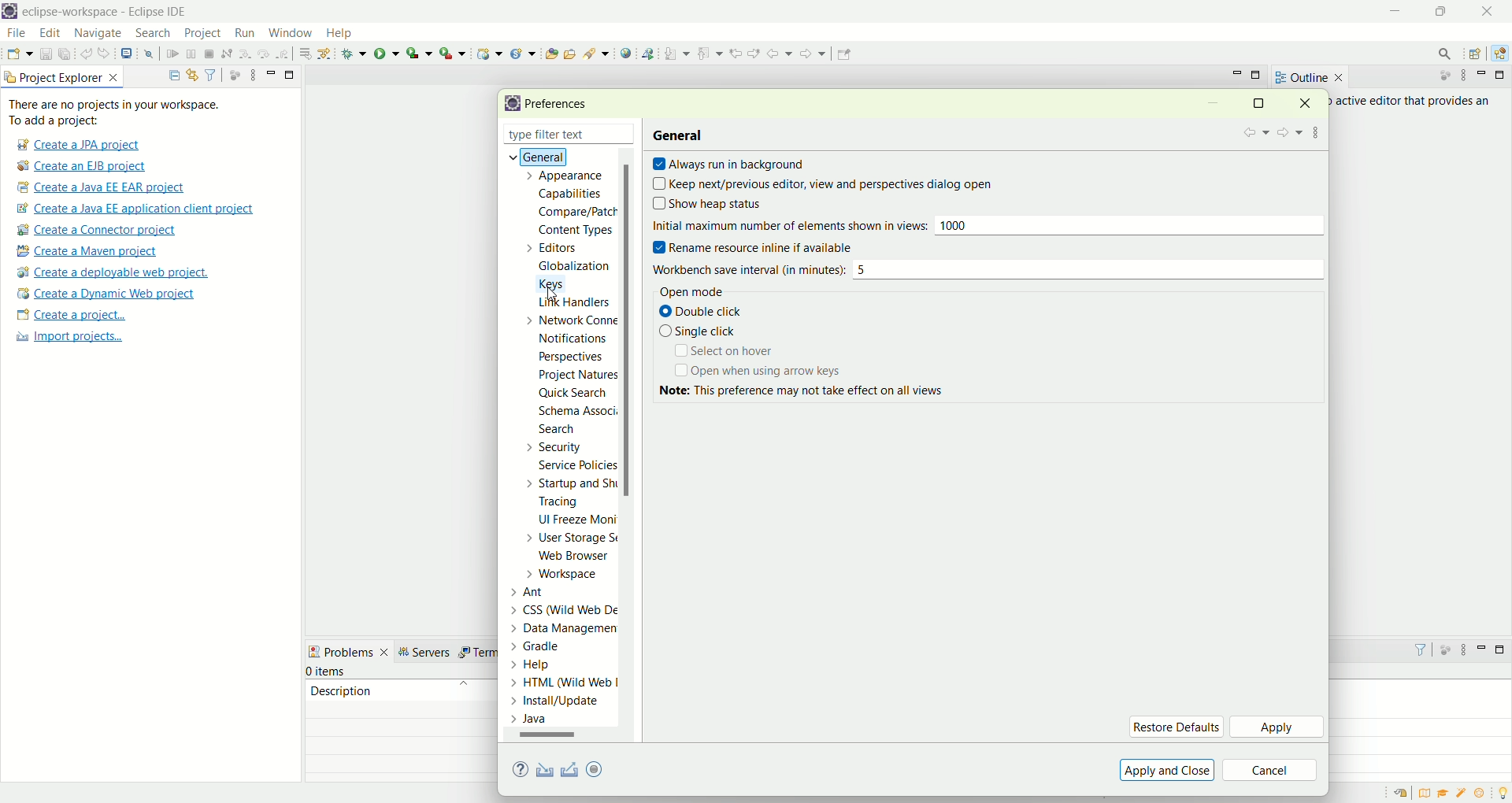 The height and width of the screenshot is (803, 1512). What do you see at coordinates (554, 295) in the screenshot?
I see `cursor` at bounding box center [554, 295].